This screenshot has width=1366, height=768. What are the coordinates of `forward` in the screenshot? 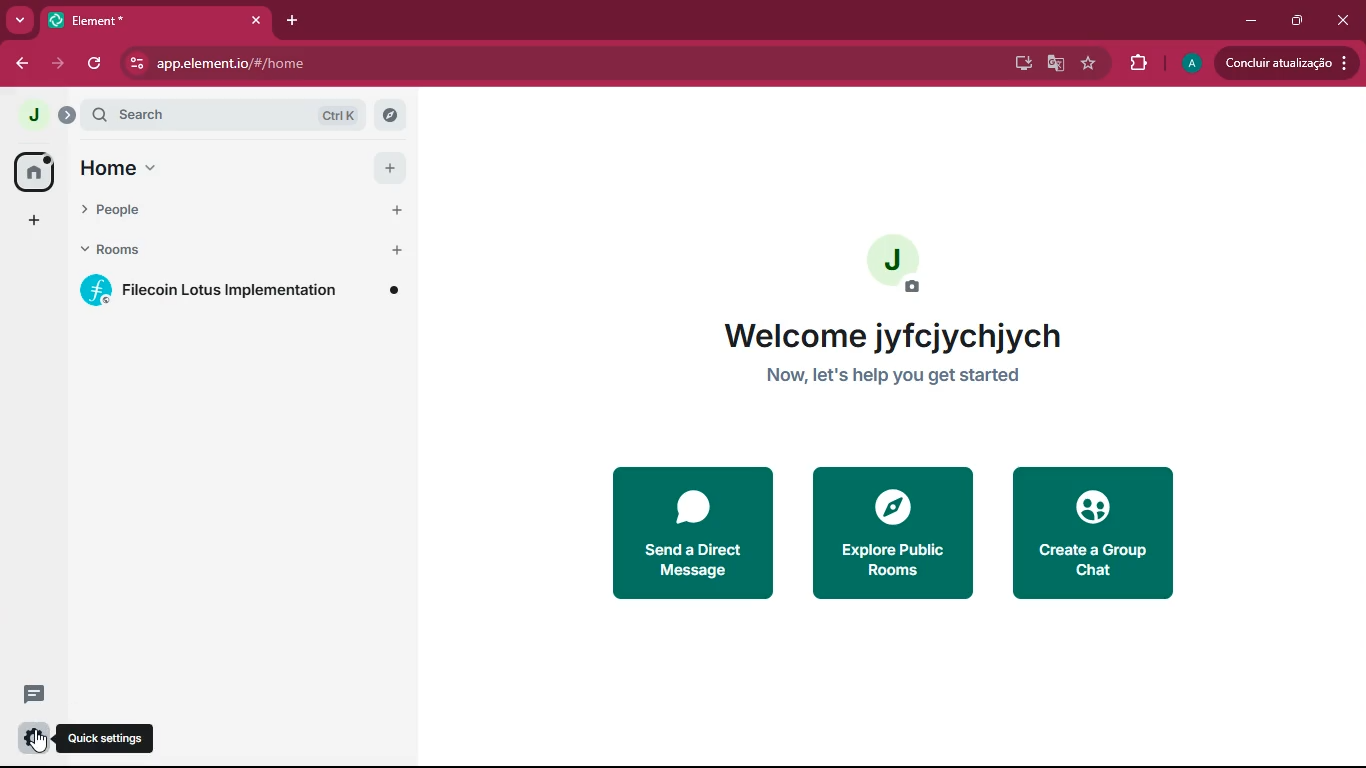 It's located at (61, 64).